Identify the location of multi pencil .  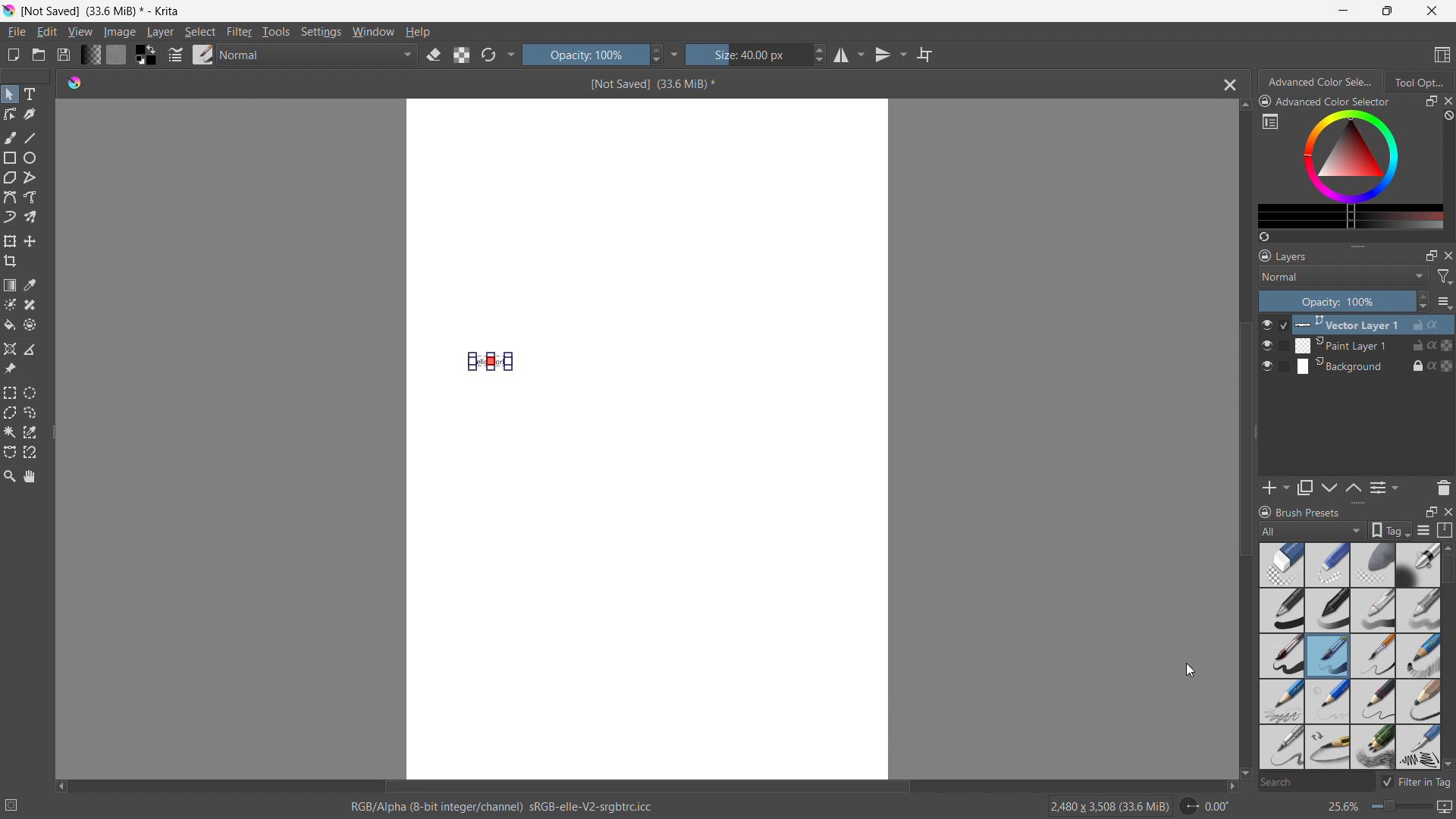
(1374, 748).